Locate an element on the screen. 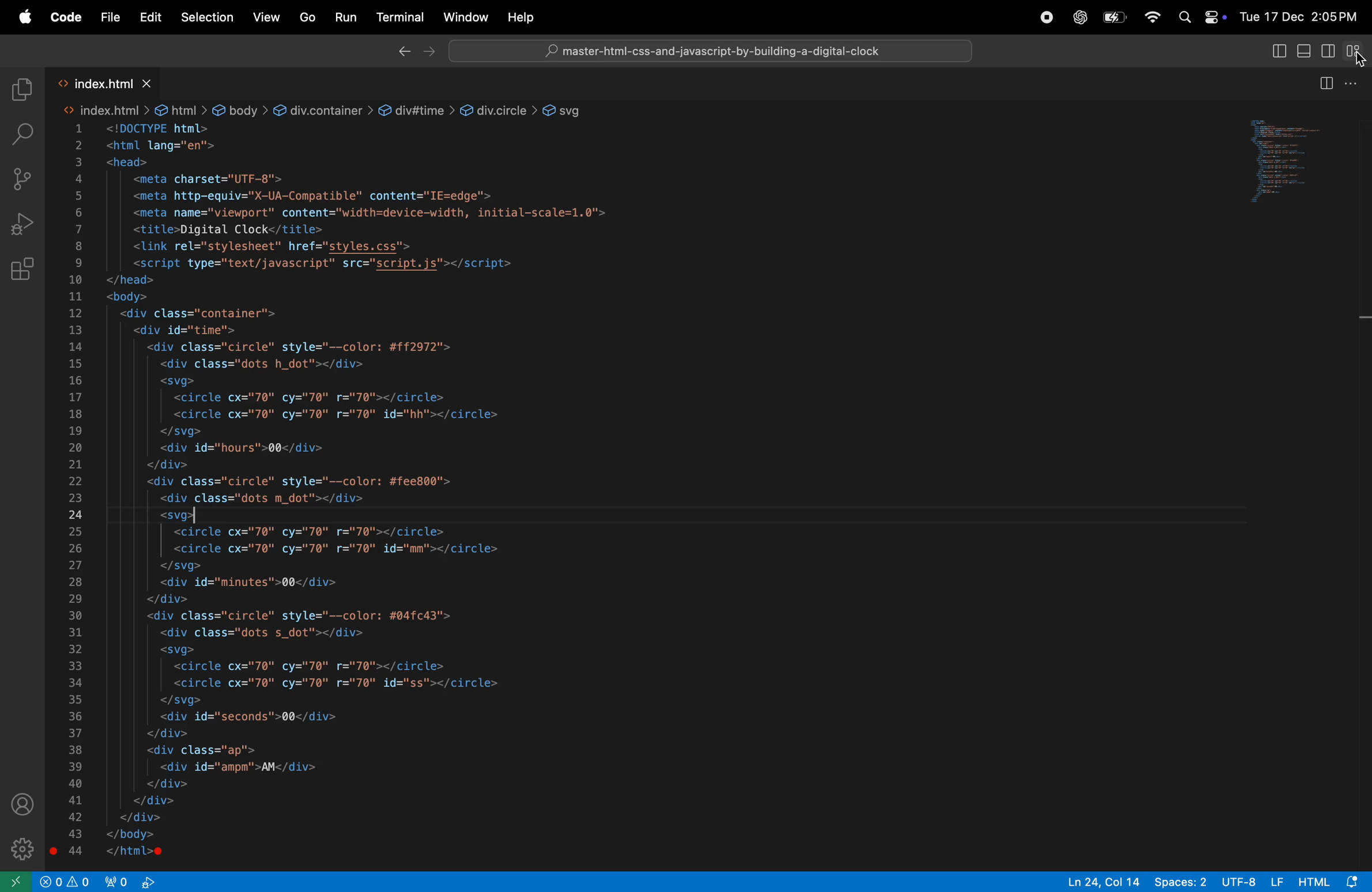  Apple mneu is located at coordinates (22, 17).